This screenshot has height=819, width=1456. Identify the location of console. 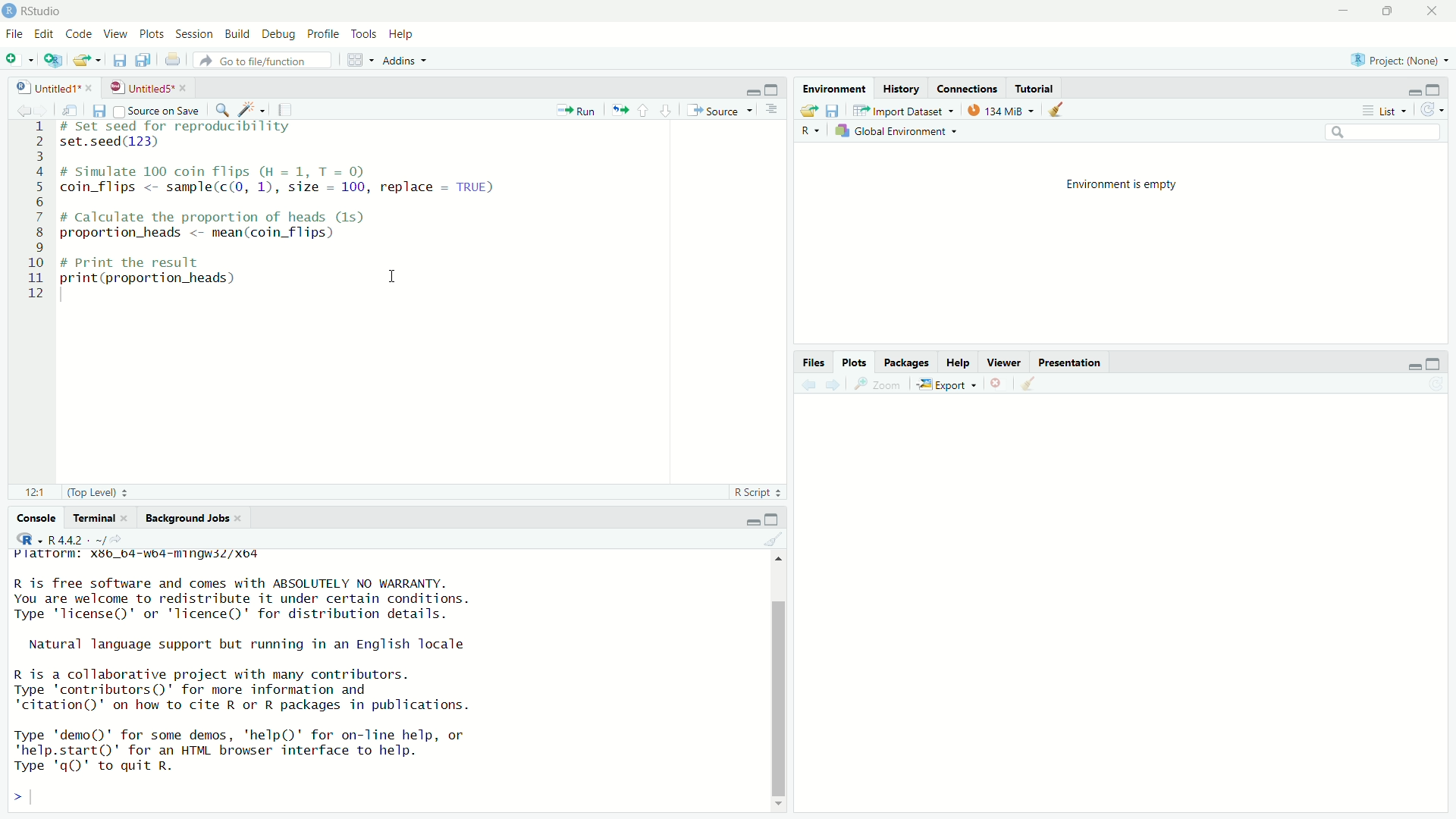
(29, 519).